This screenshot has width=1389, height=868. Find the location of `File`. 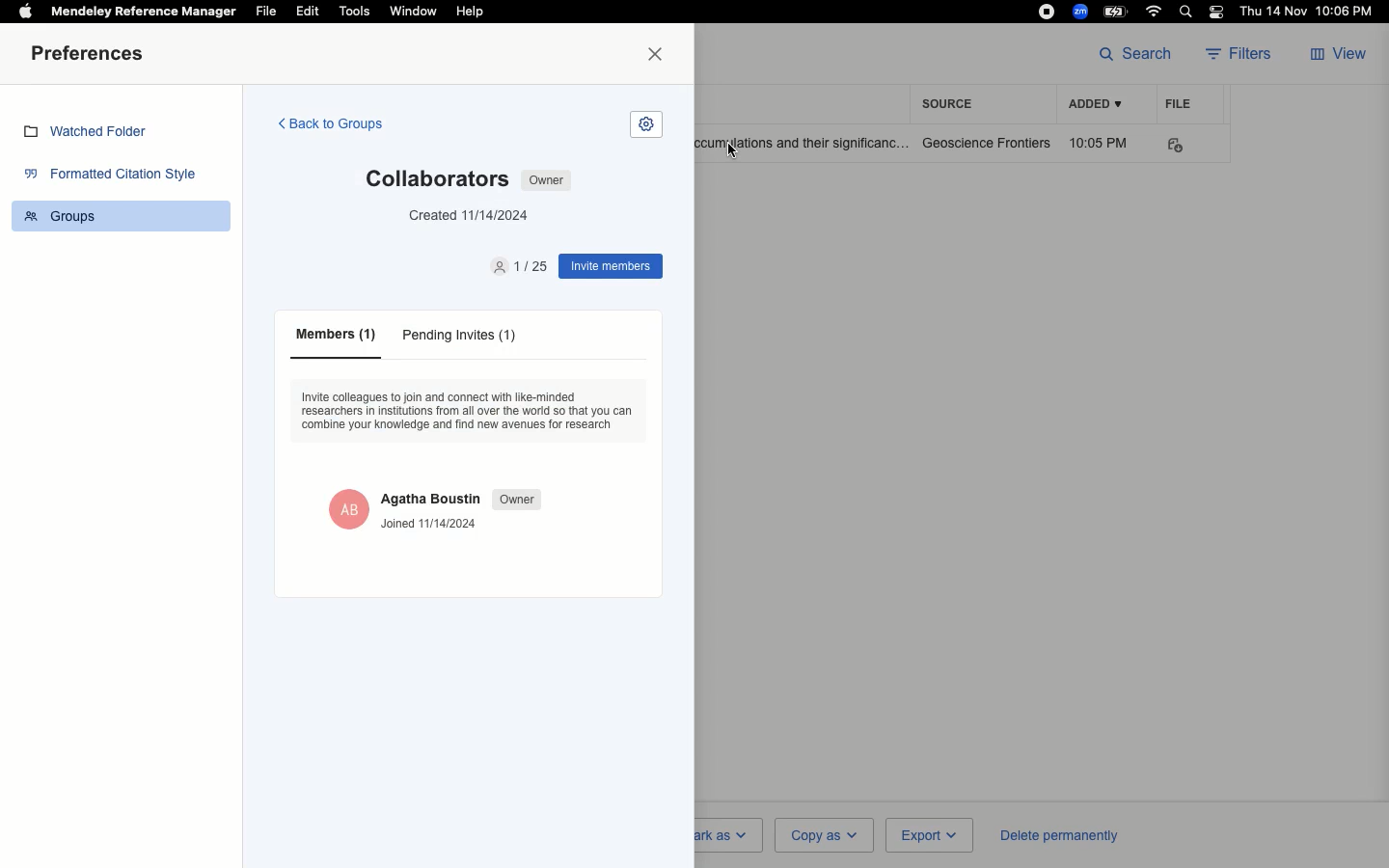

File is located at coordinates (266, 12).